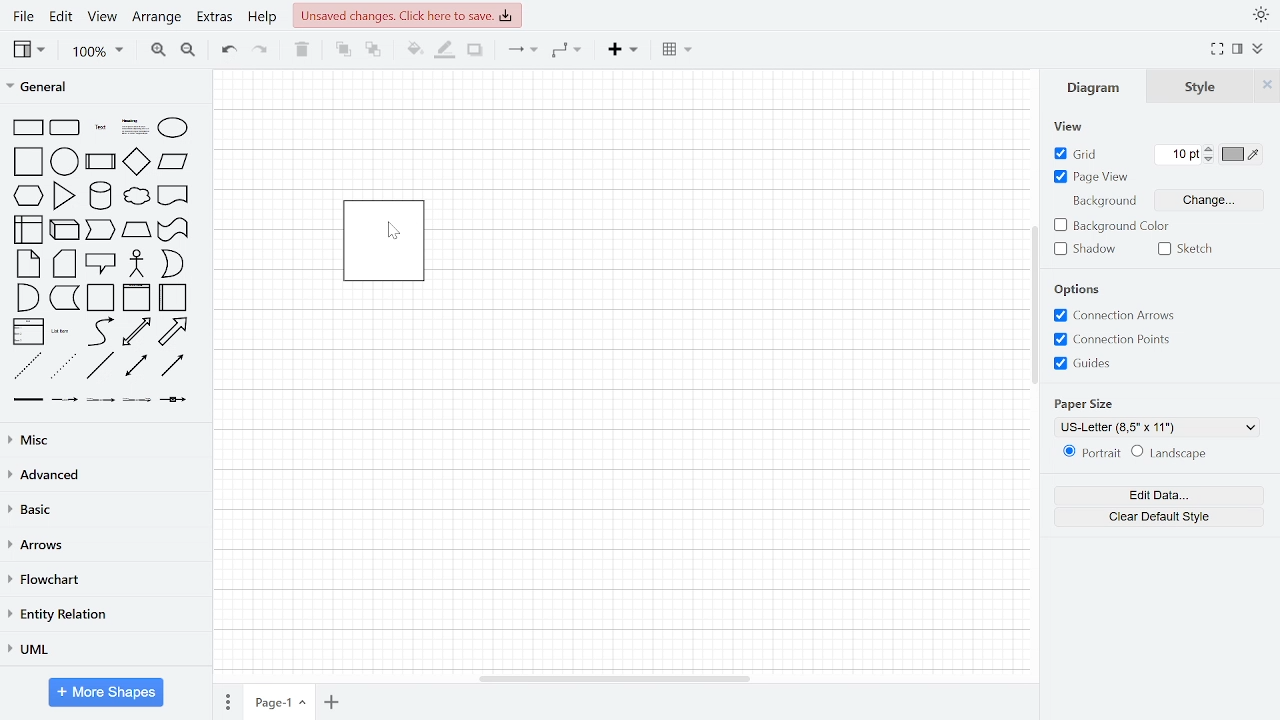  What do you see at coordinates (1089, 249) in the screenshot?
I see `shadow` at bounding box center [1089, 249].